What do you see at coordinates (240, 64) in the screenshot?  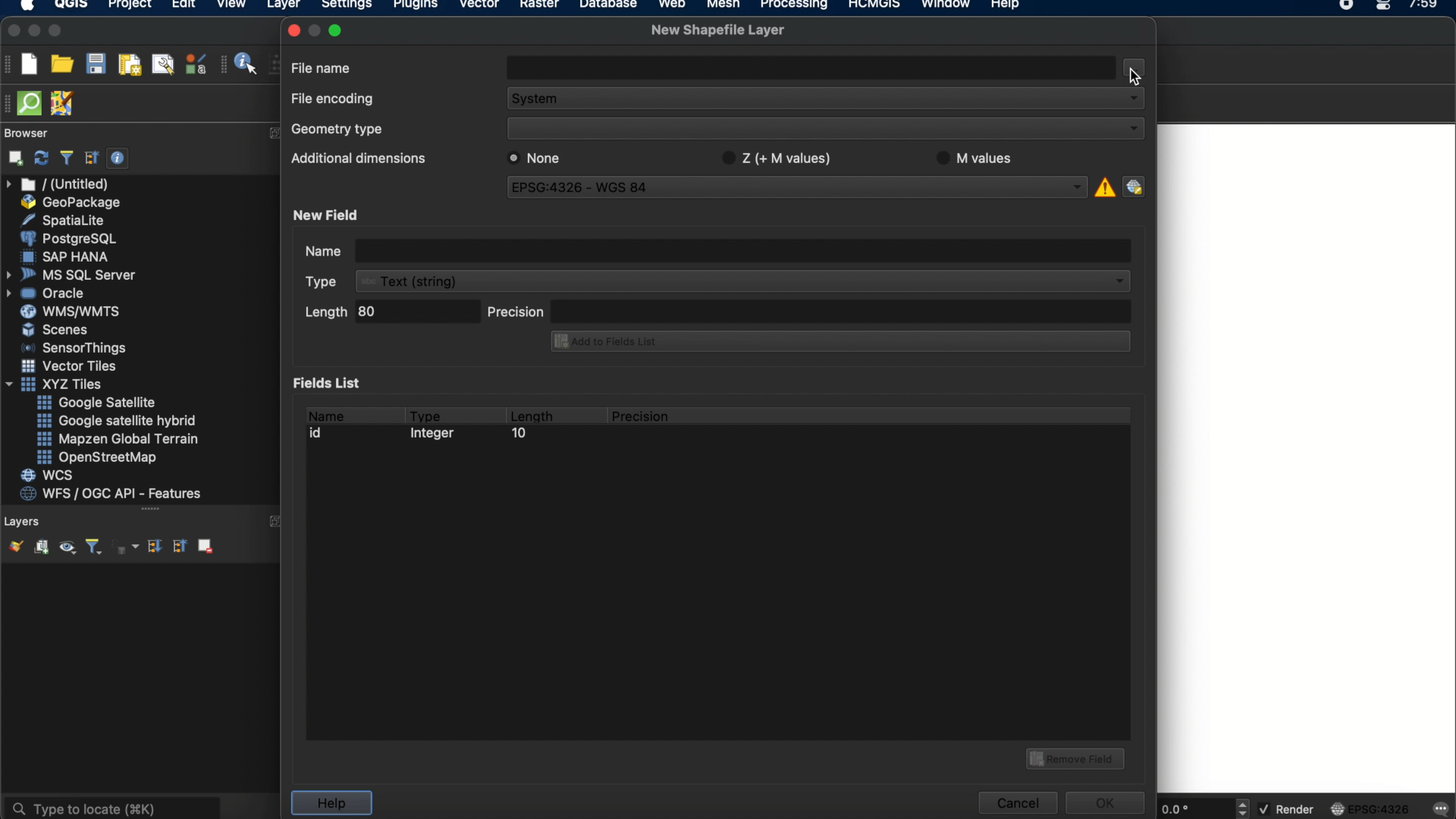 I see `identify features` at bounding box center [240, 64].